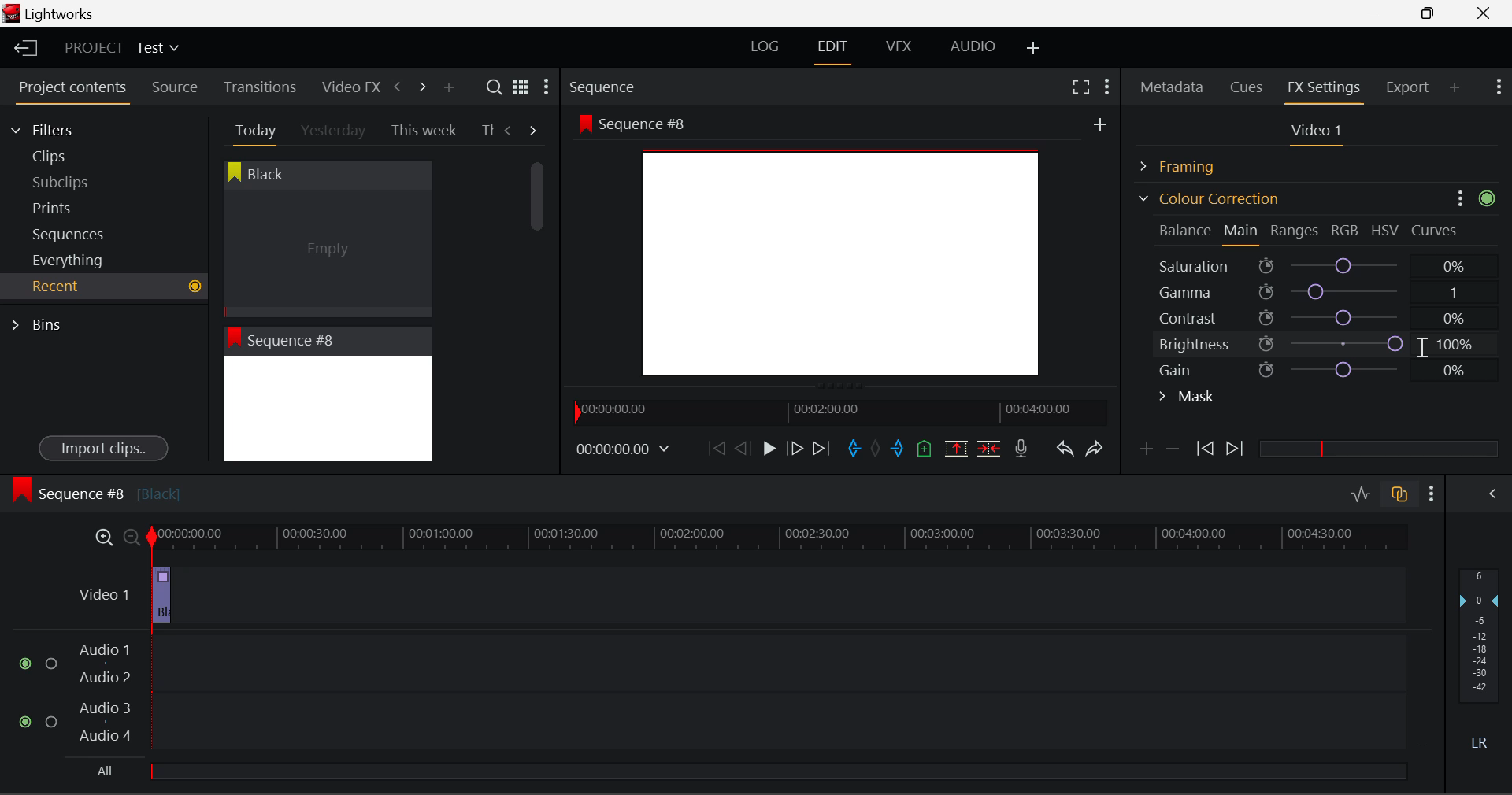 The height and width of the screenshot is (795, 1512). Describe the element at coordinates (1203, 449) in the screenshot. I see `Previous keyframe` at that location.